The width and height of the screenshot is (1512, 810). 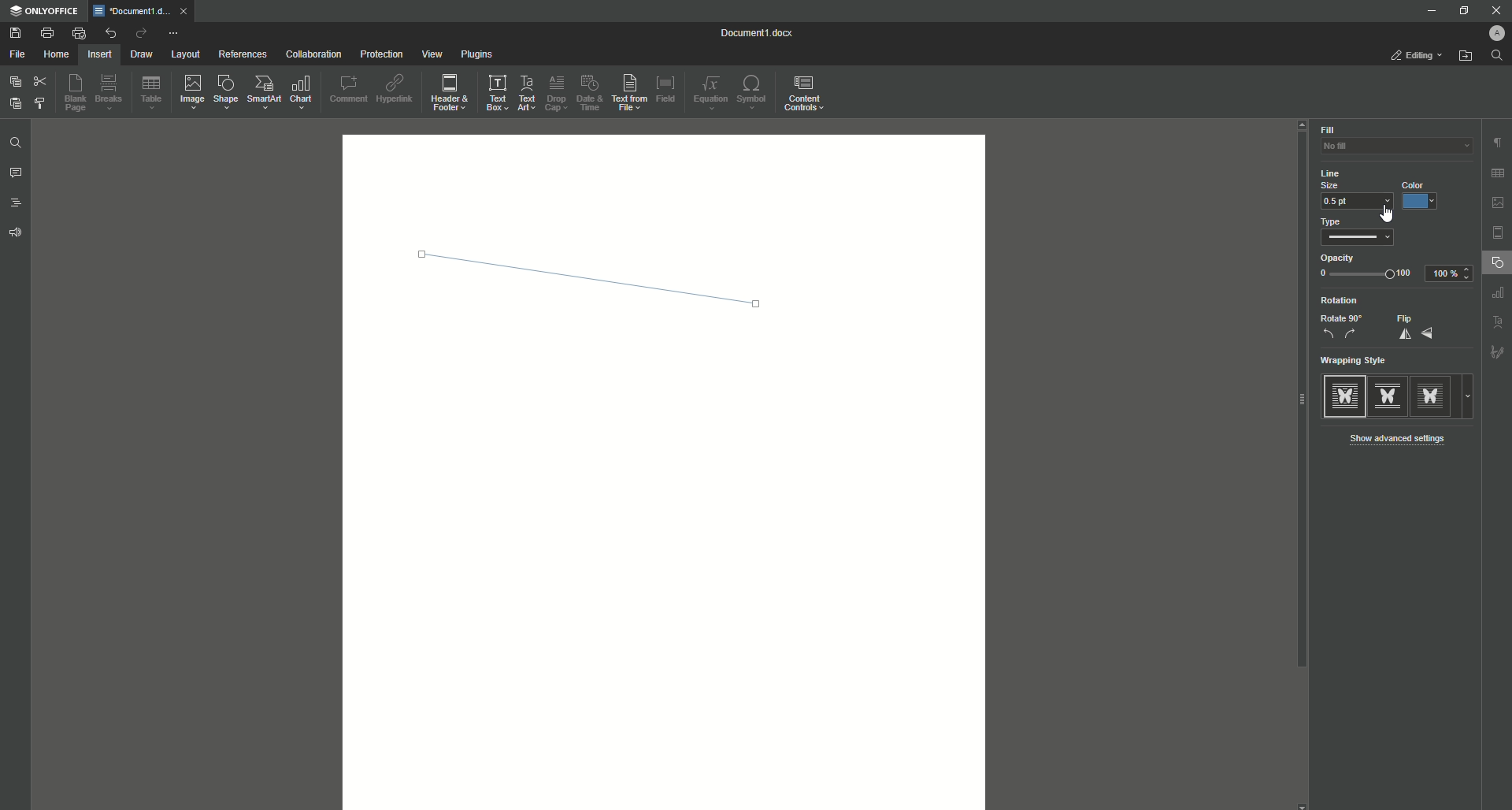 I want to click on Symbol, so click(x=754, y=94).